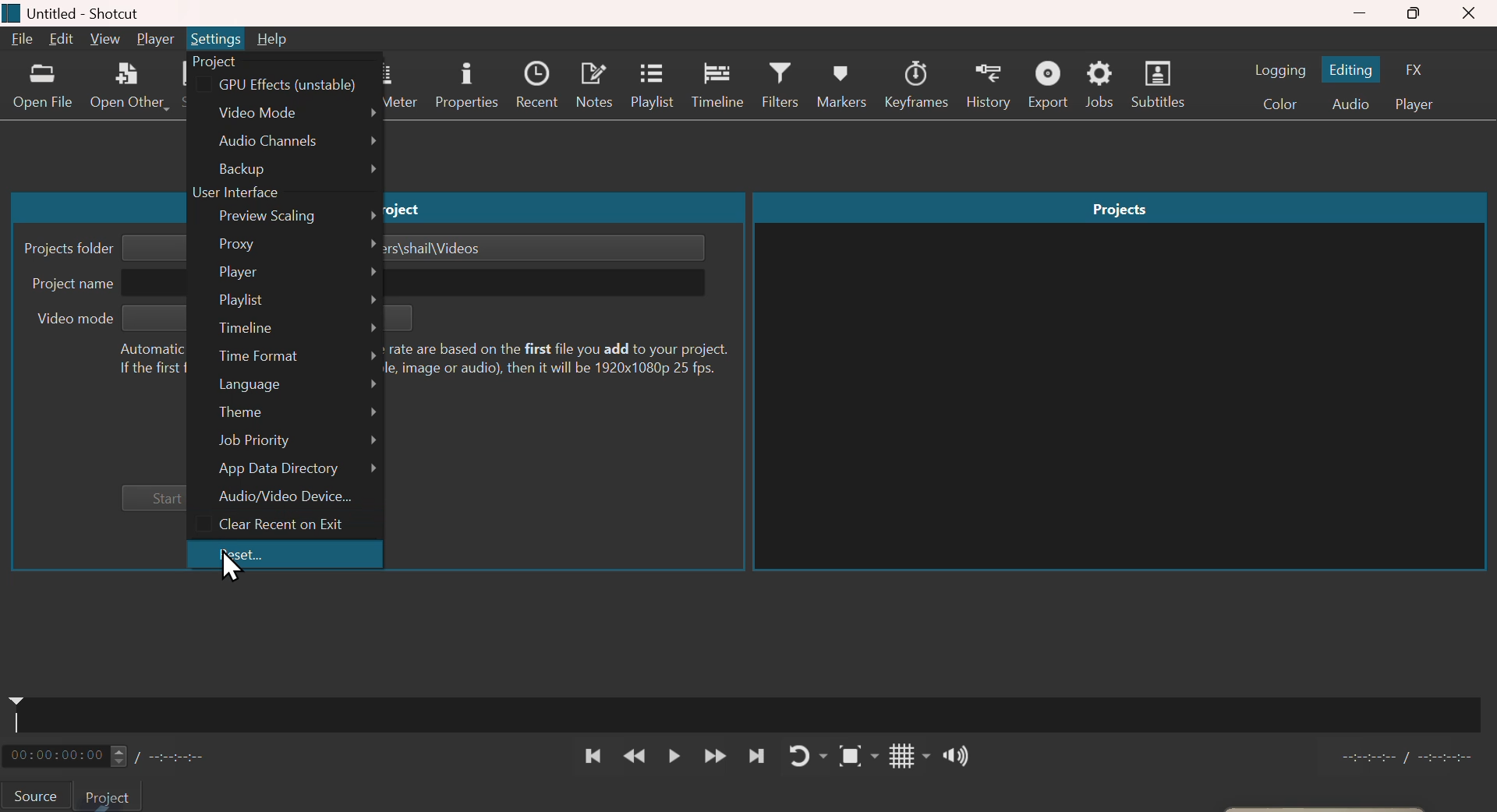 This screenshot has width=1497, height=812. What do you see at coordinates (285, 85) in the screenshot?
I see `G p u effects` at bounding box center [285, 85].